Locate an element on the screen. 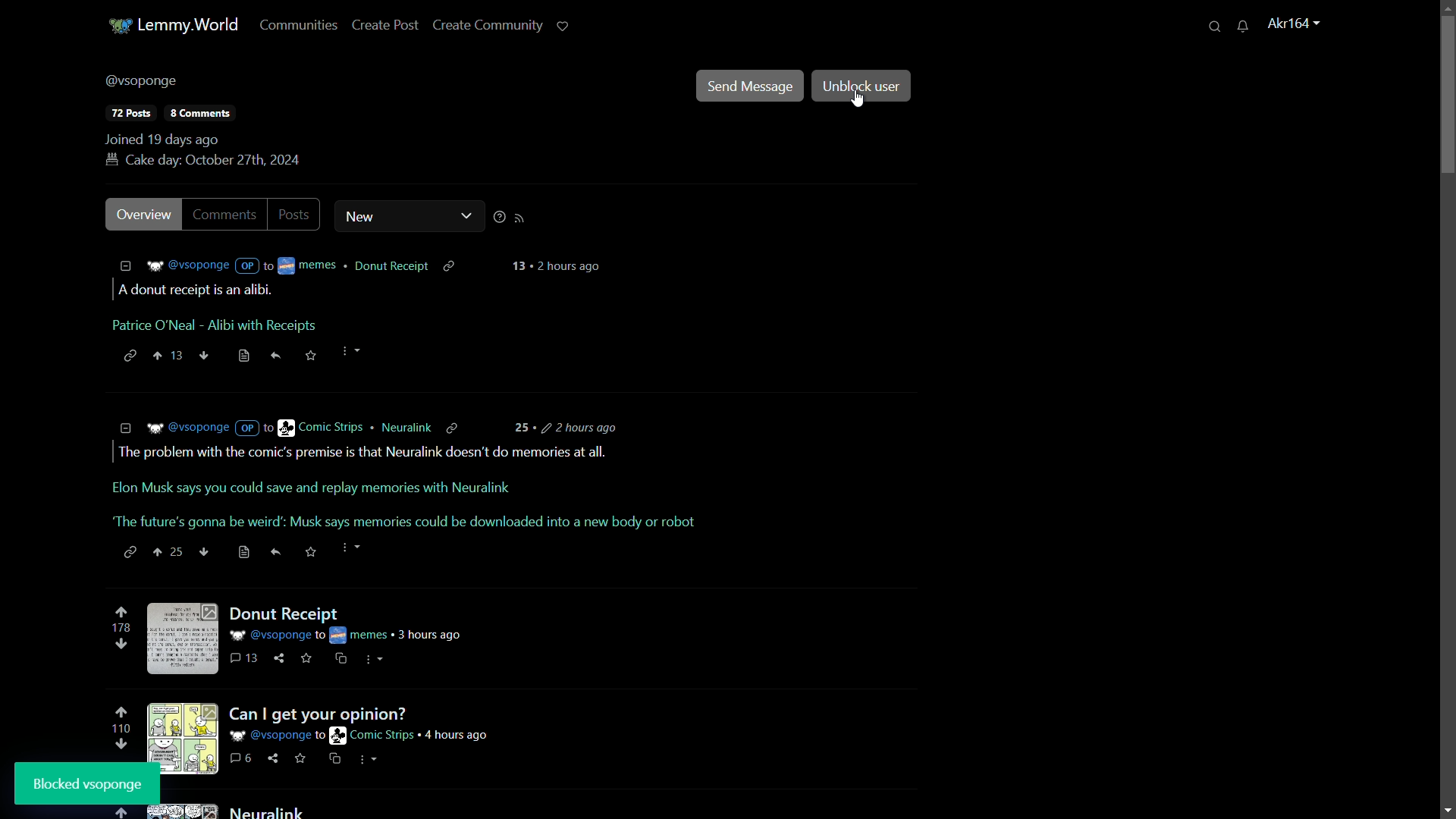  cs is located at coordinates (372, 759).